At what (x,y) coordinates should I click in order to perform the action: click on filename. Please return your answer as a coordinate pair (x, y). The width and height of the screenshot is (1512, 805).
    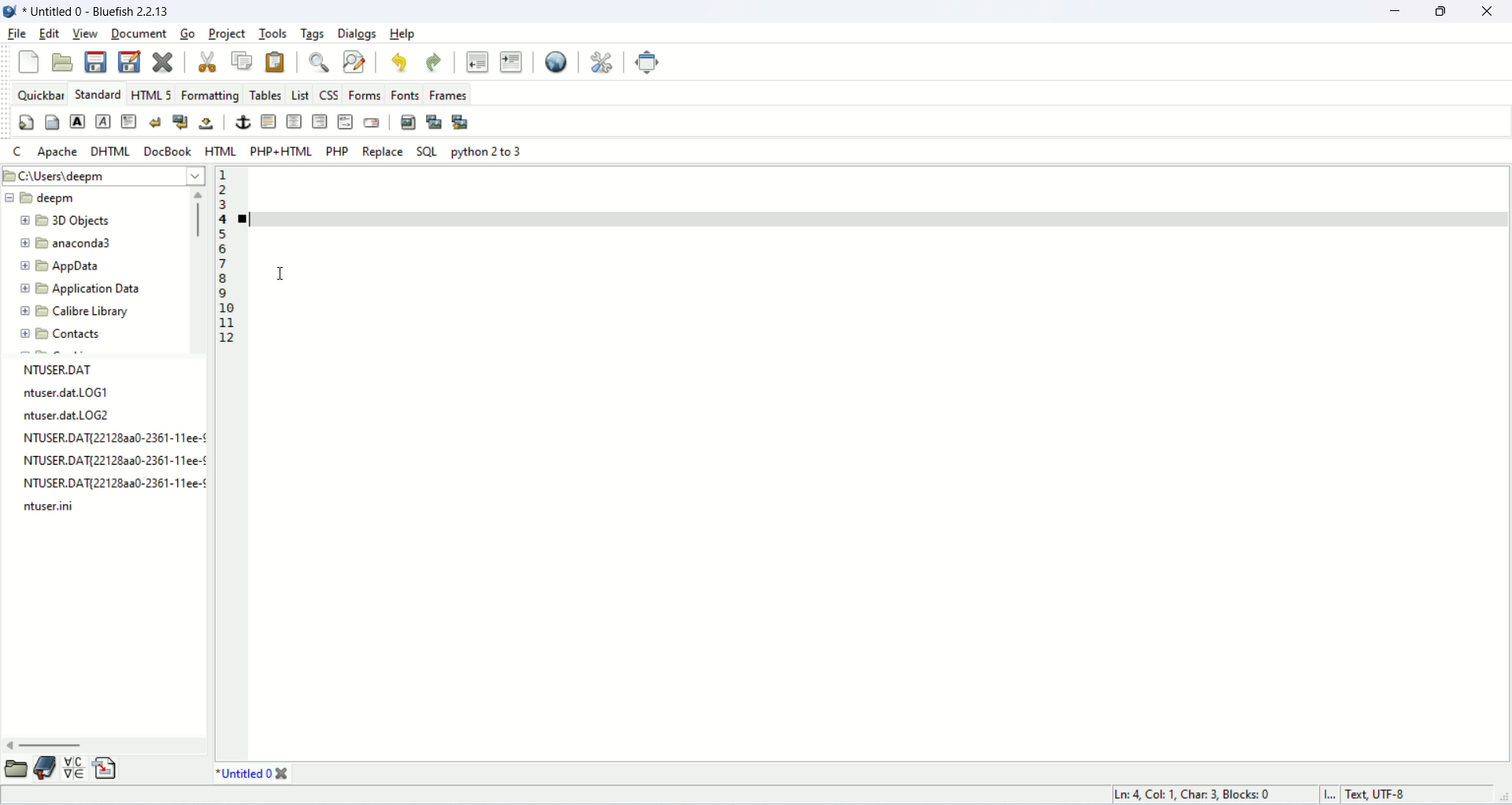
    Looking at the image, I should click on (94, 198).